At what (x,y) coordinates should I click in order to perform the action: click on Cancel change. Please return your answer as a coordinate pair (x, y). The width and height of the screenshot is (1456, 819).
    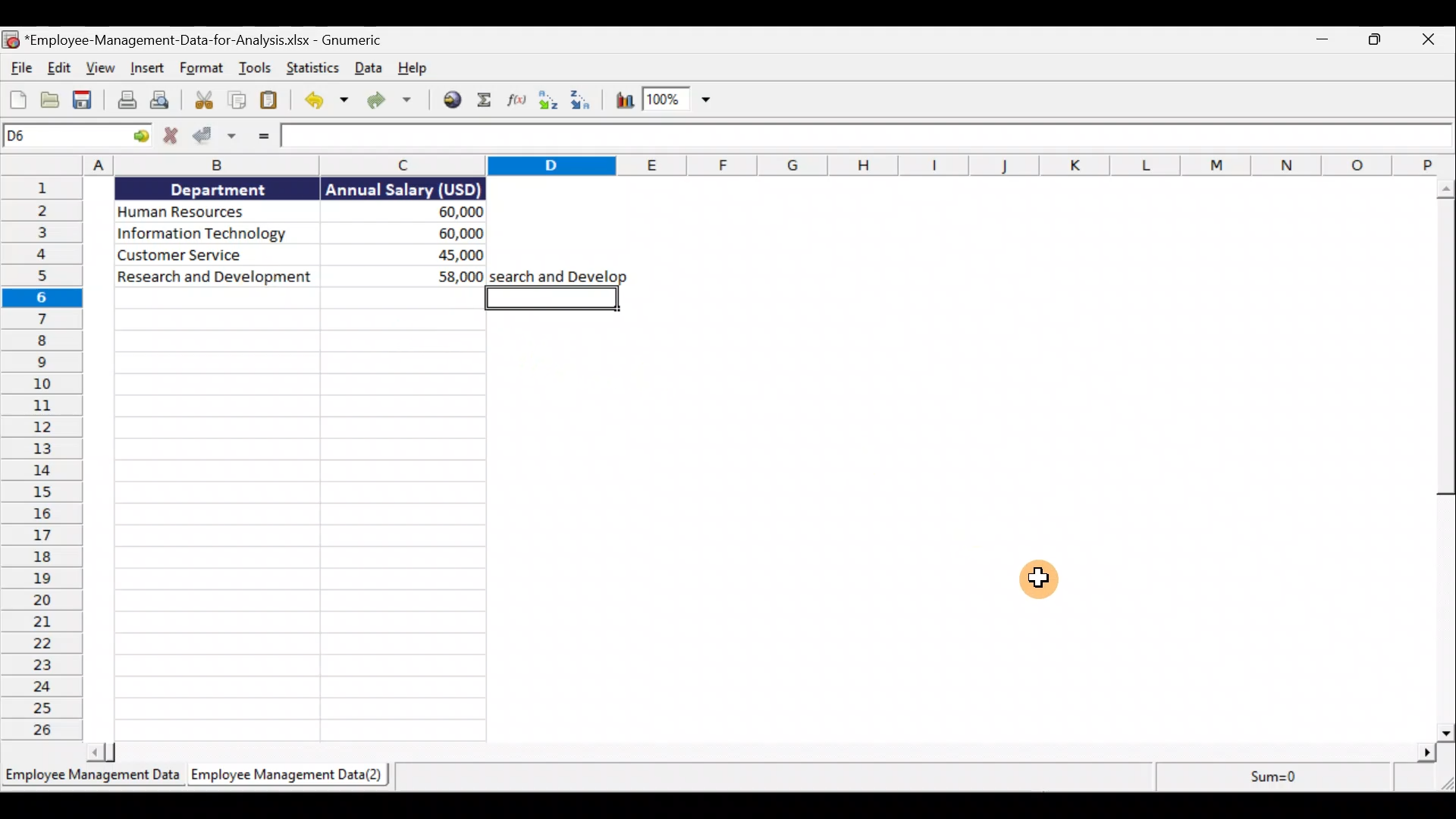
    Looking at the image, I should click on (168, 137).